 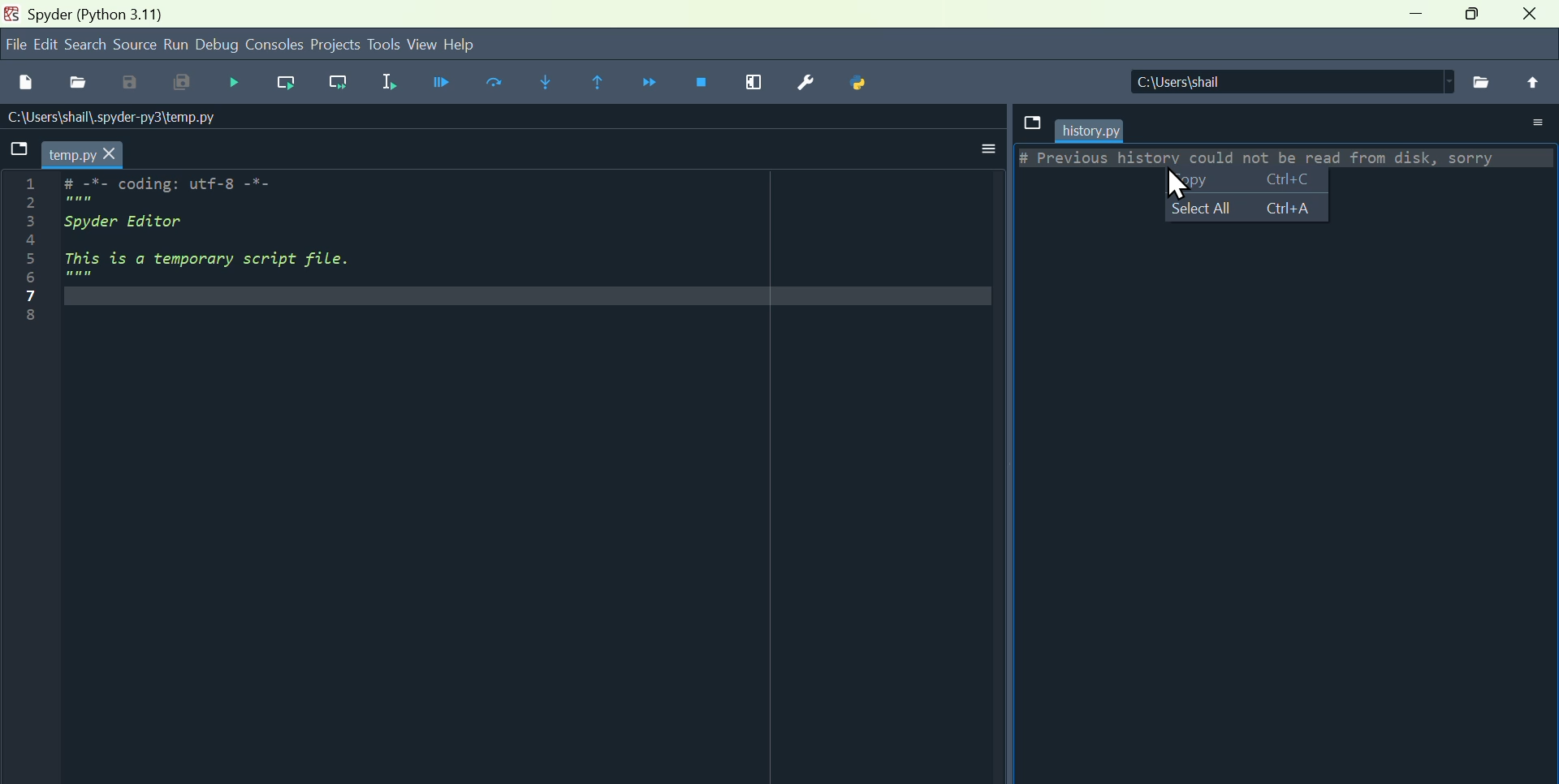 I want to click on Execute until same function returns, so click(x=602, y=84).